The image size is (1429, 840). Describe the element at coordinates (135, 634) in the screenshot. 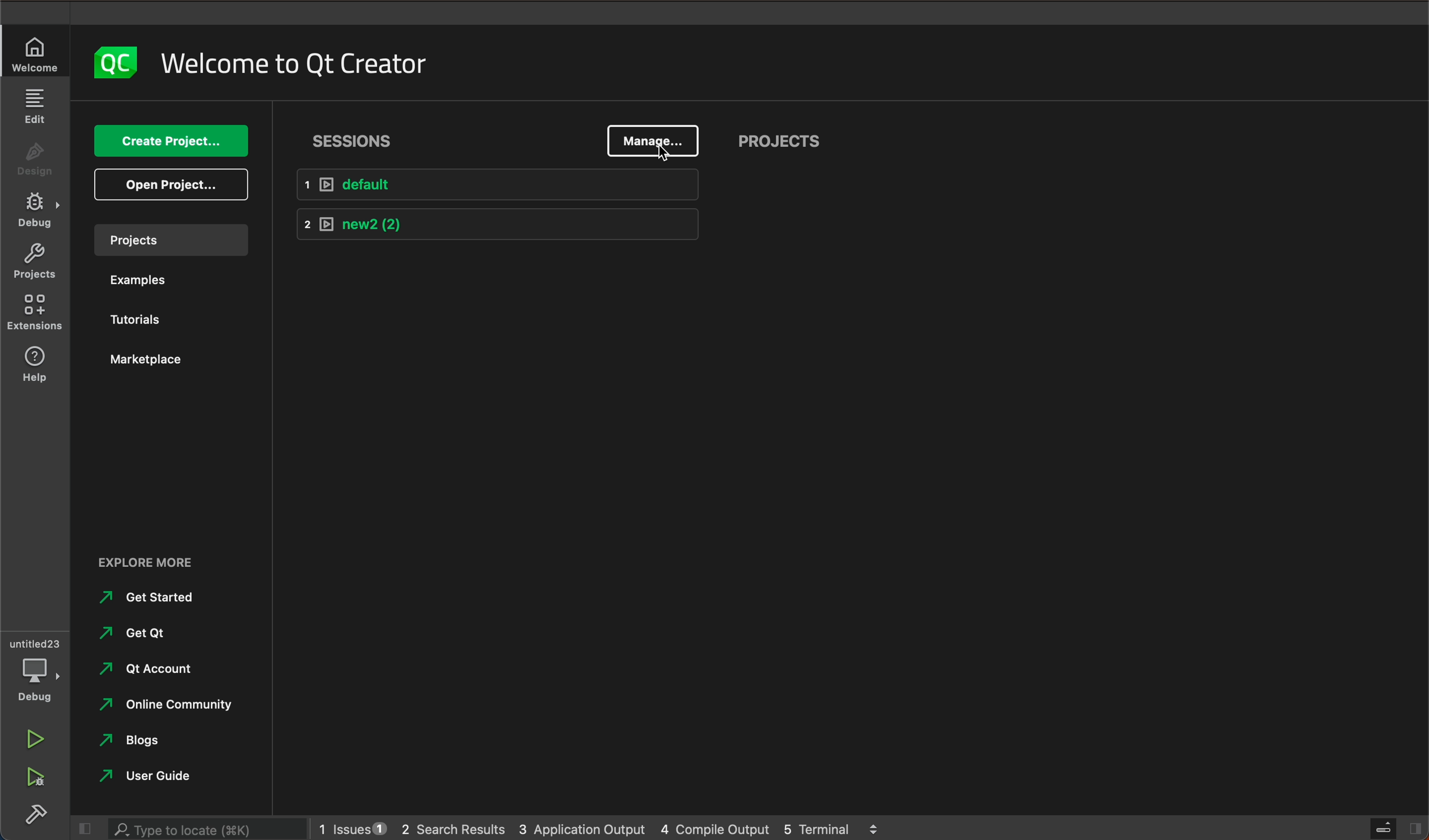

I see `get qt` at that location.